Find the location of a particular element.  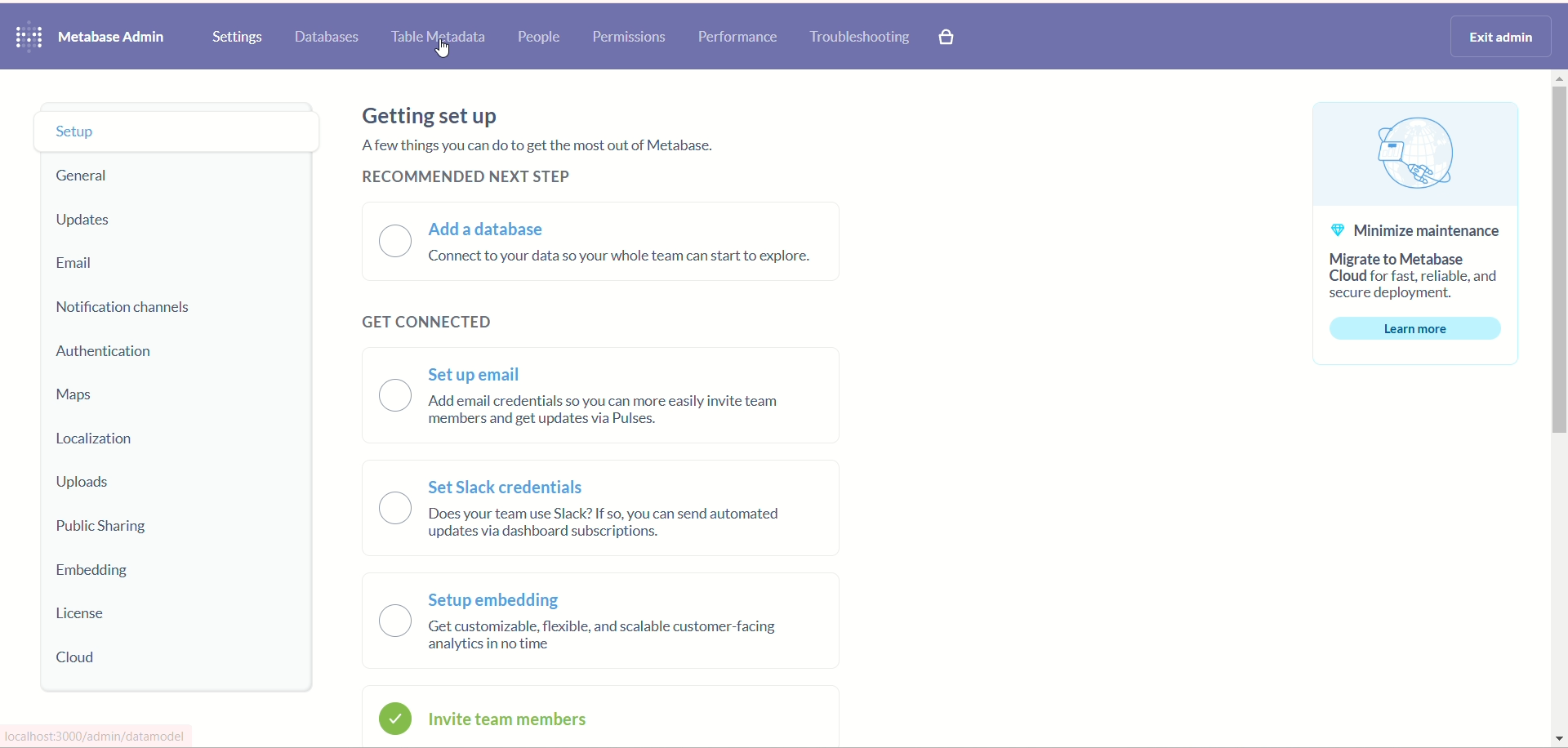

image is located at coordinates (1412, 151).